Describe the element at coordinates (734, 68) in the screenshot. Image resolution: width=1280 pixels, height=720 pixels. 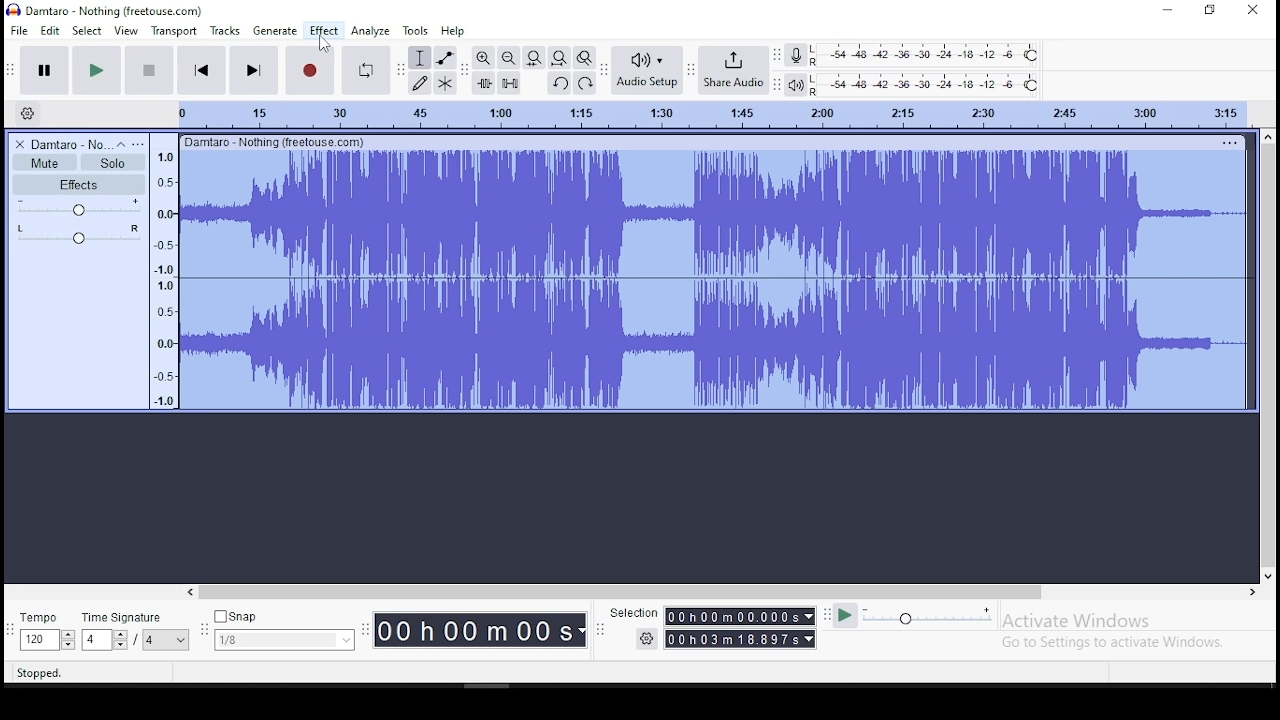
I see `share audio` at that location.